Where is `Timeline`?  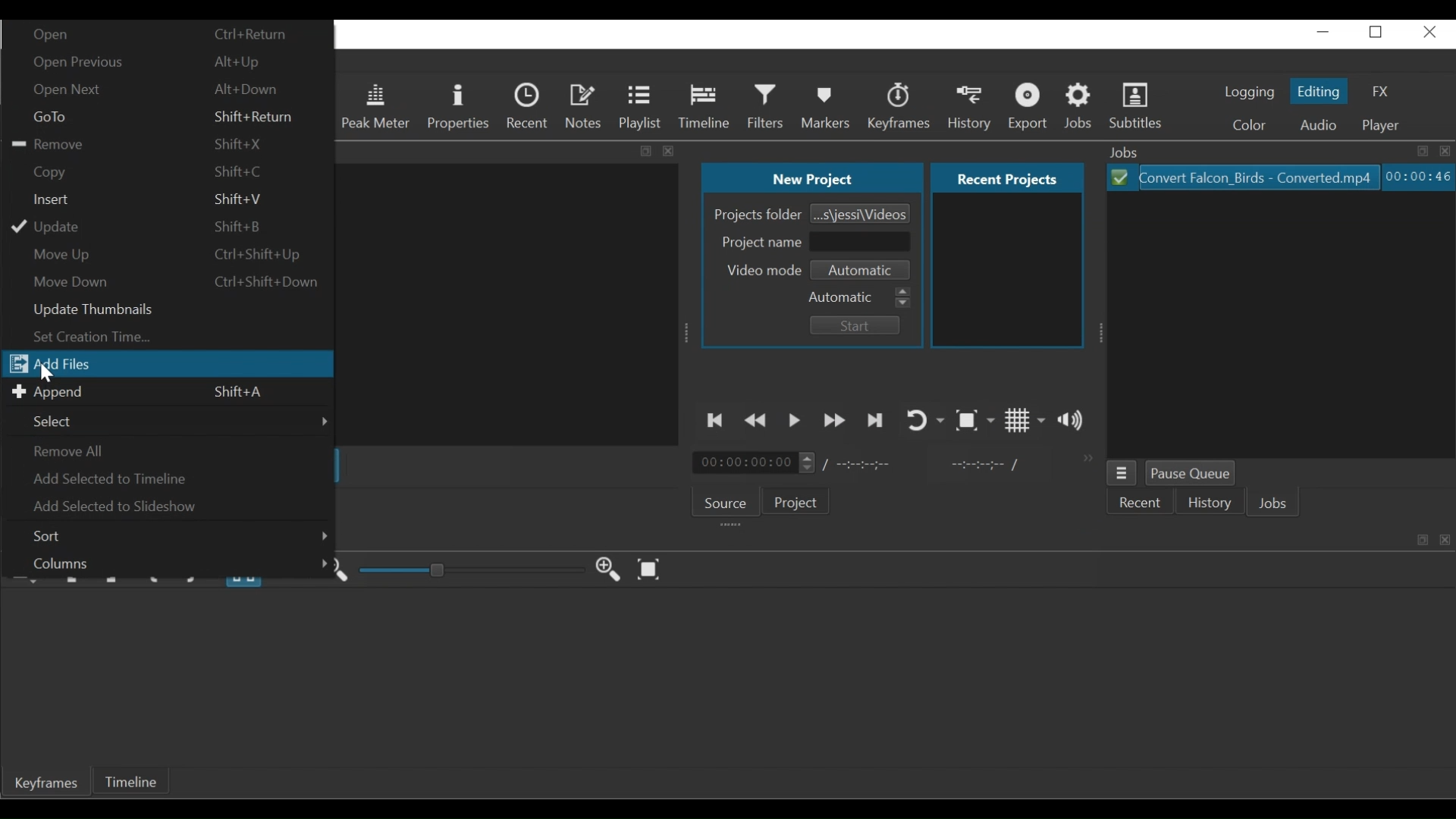
Timeline is located at coordinates (131, 781).